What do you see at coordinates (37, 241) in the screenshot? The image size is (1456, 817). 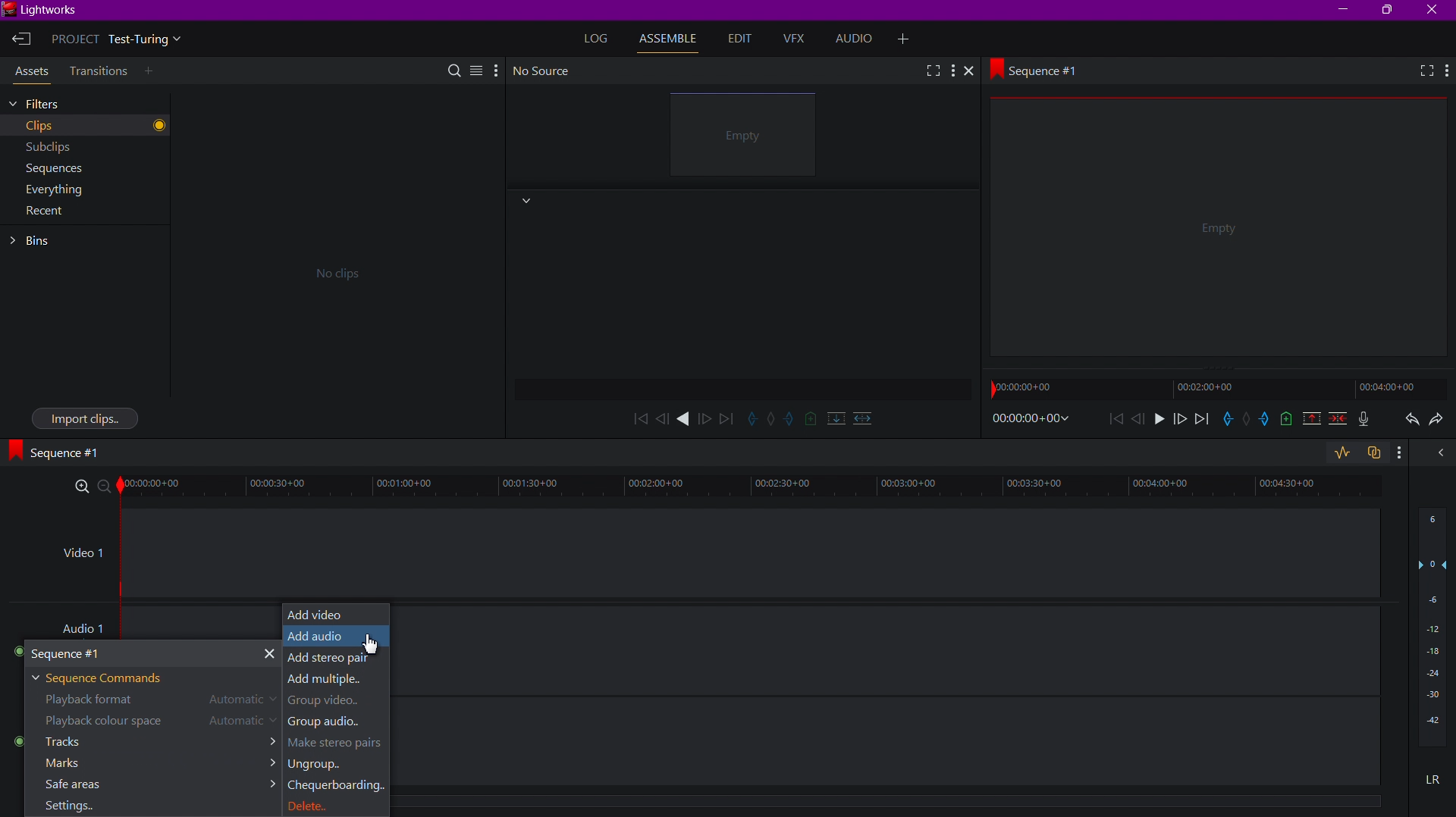 I see `Bins` at bounding box center [37, 241].